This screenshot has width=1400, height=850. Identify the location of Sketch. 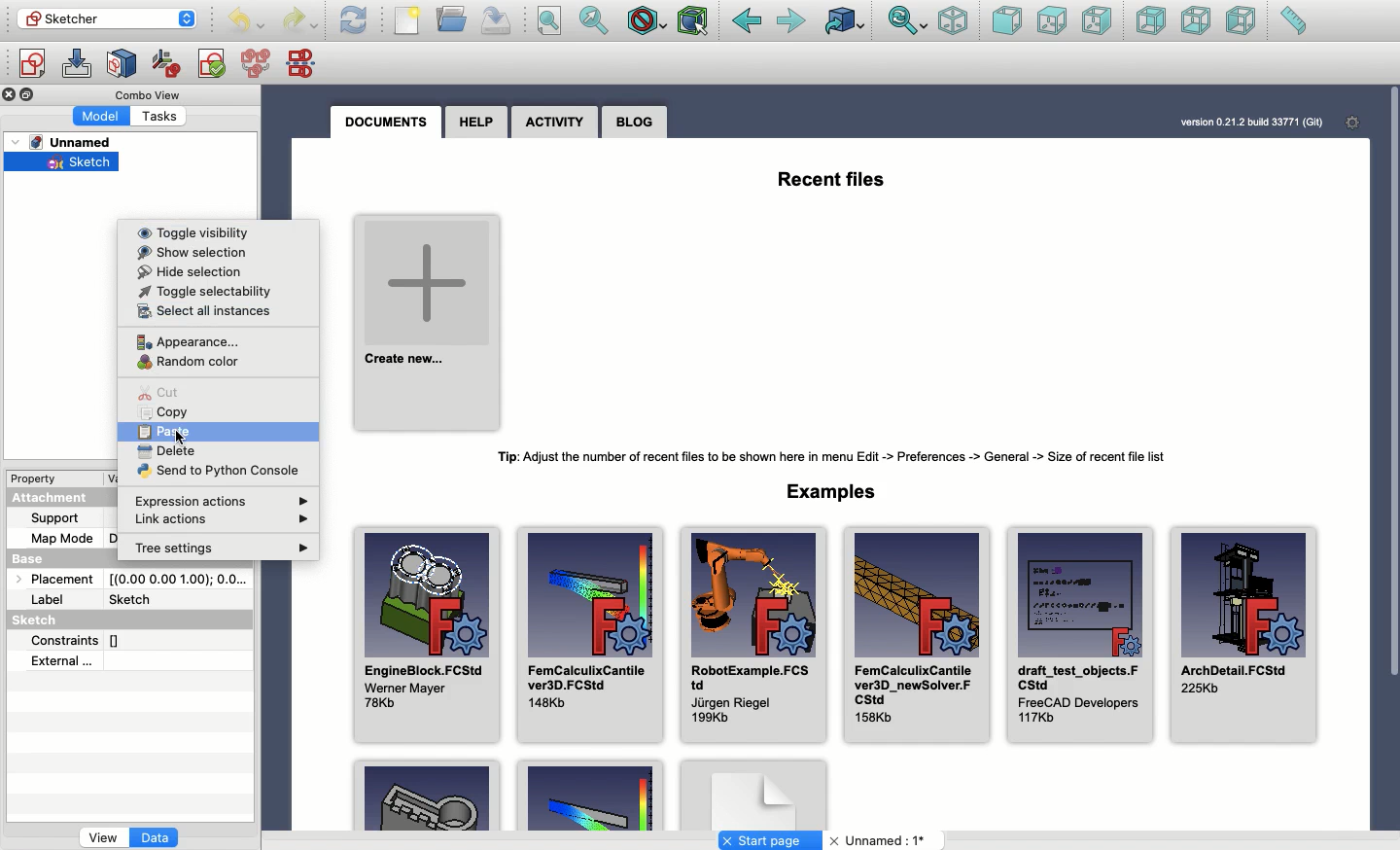
(64, 164).